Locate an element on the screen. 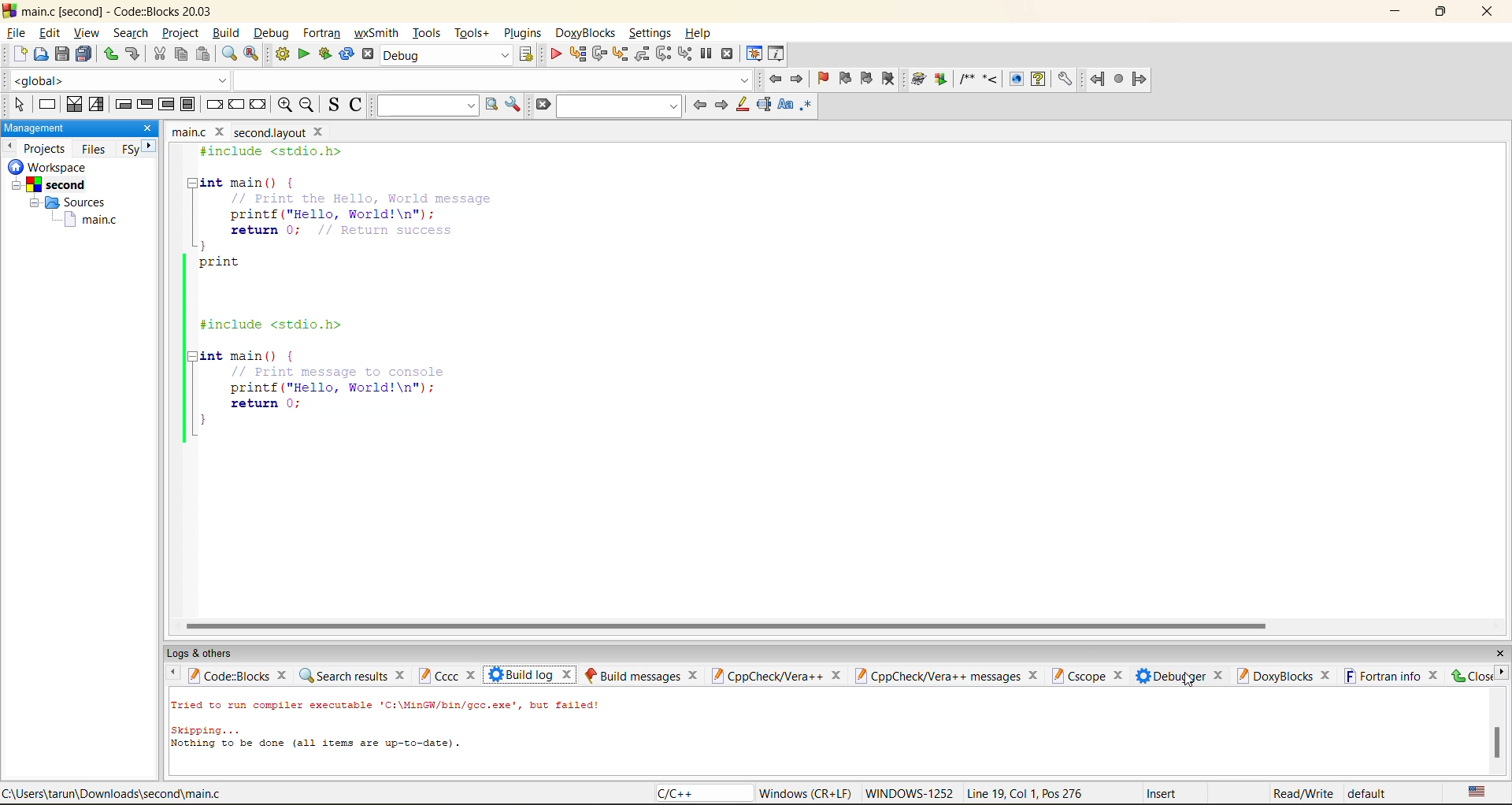 The width and height of the screenshot is (1512, 805). next is located at coordinates (722, 104).